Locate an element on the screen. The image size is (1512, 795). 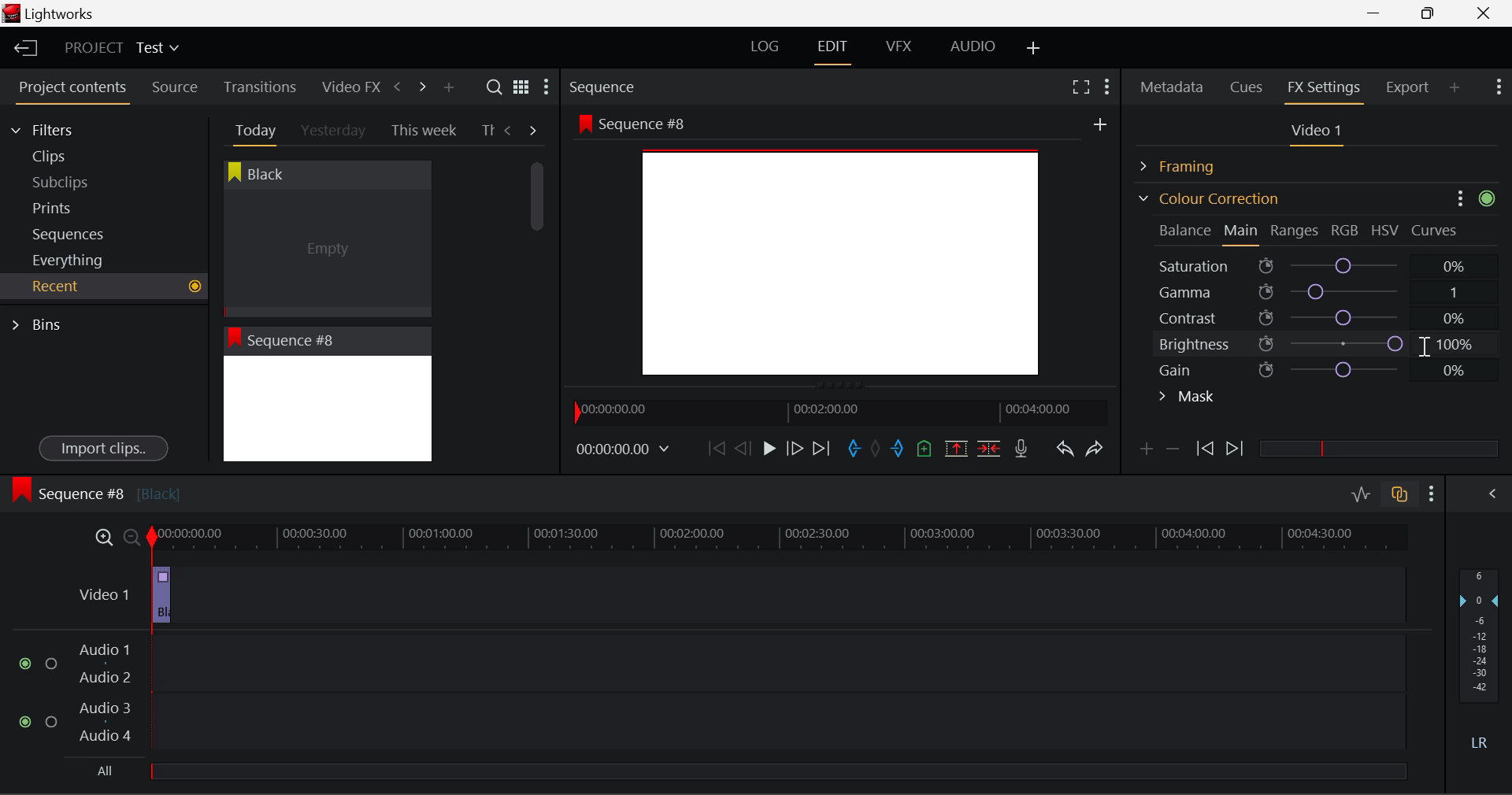
FX Settings Panel Open is located at coordinates (1325, 89).